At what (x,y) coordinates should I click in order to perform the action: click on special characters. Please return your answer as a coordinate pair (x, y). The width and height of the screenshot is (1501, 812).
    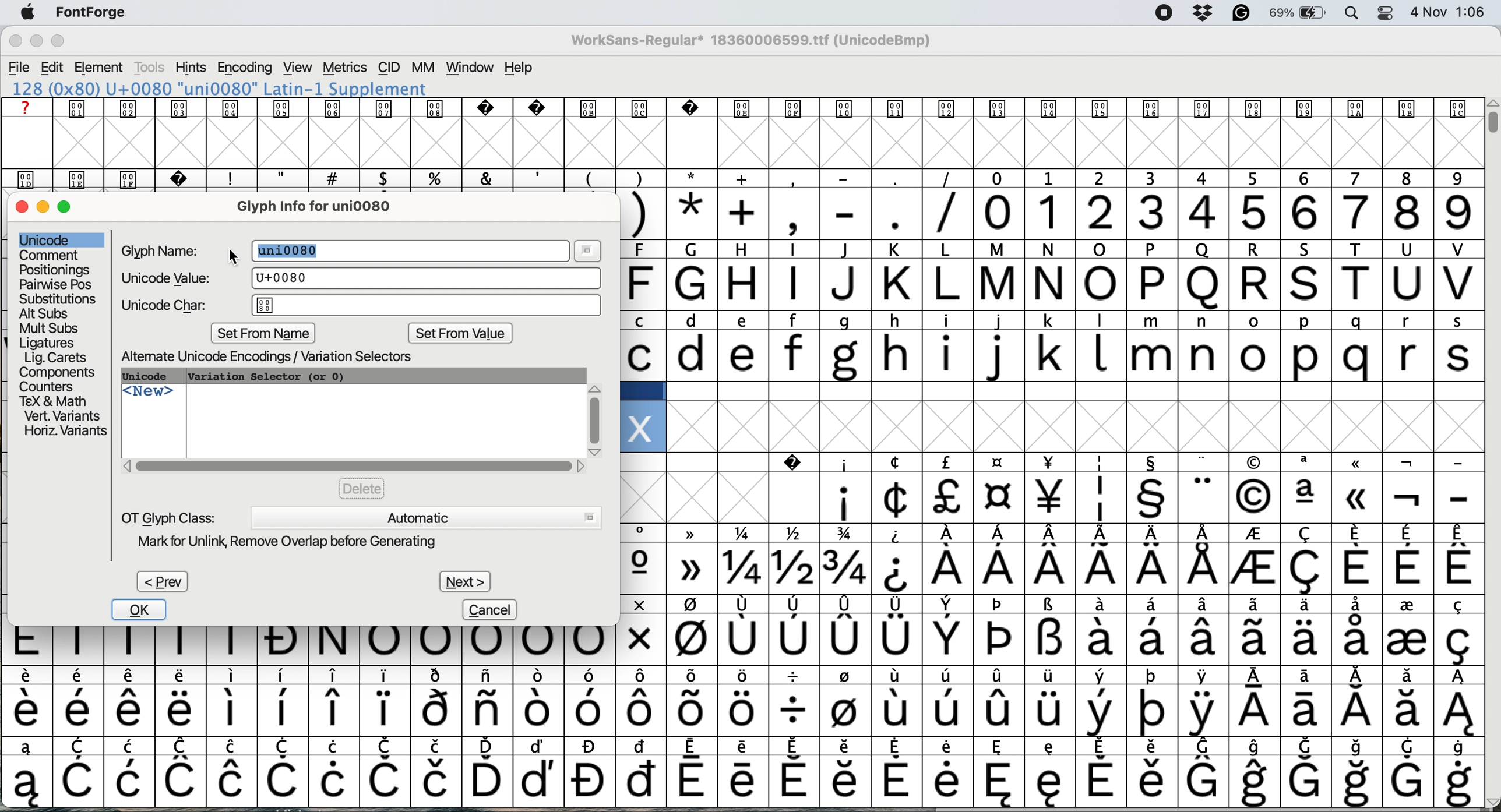
    Looking at the image, I should click on (745, 745).